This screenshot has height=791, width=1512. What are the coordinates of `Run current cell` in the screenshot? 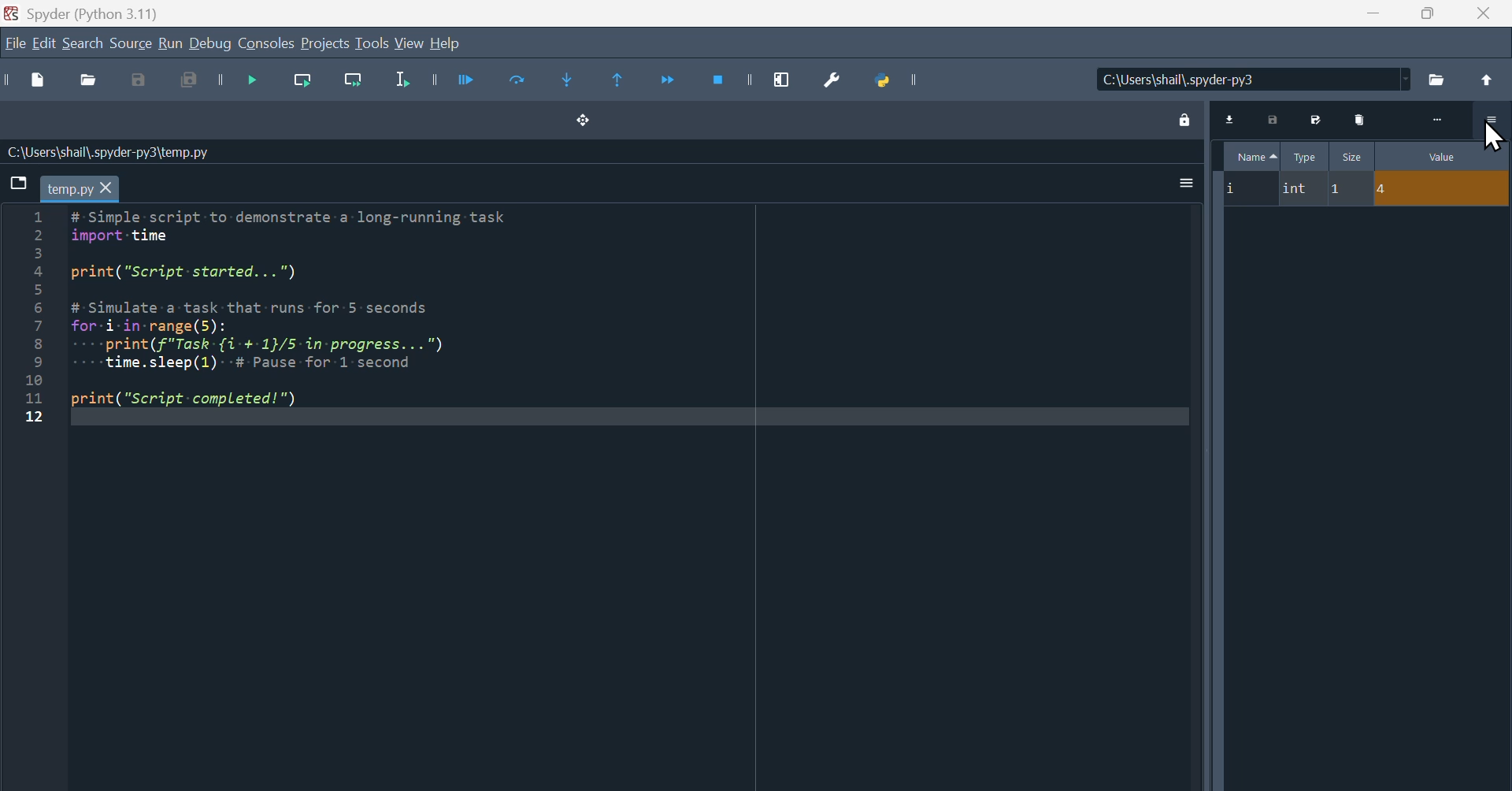 It's located at (519, 83).